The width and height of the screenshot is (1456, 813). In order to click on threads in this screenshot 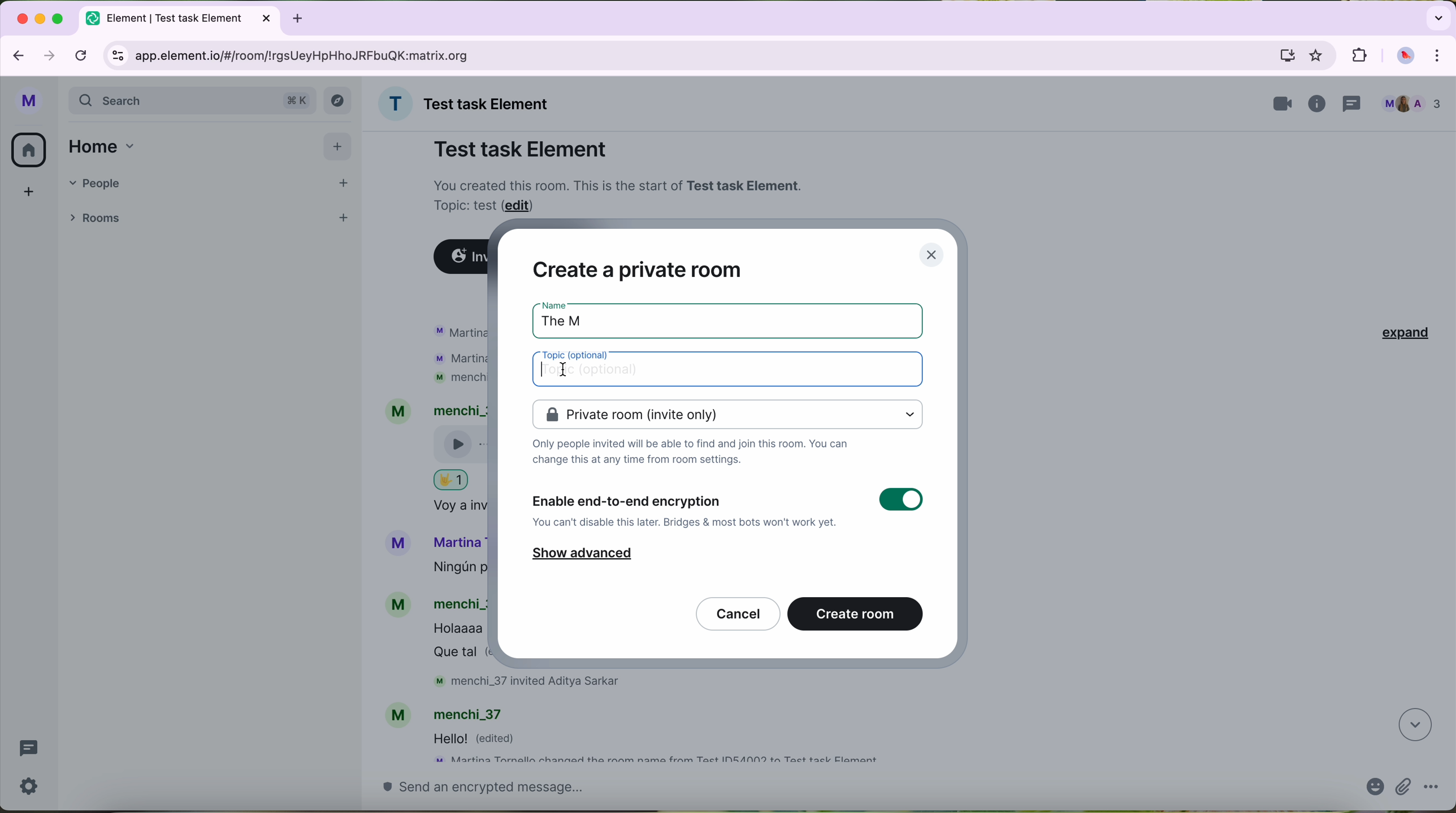, I will do `click(1355, 102)`.